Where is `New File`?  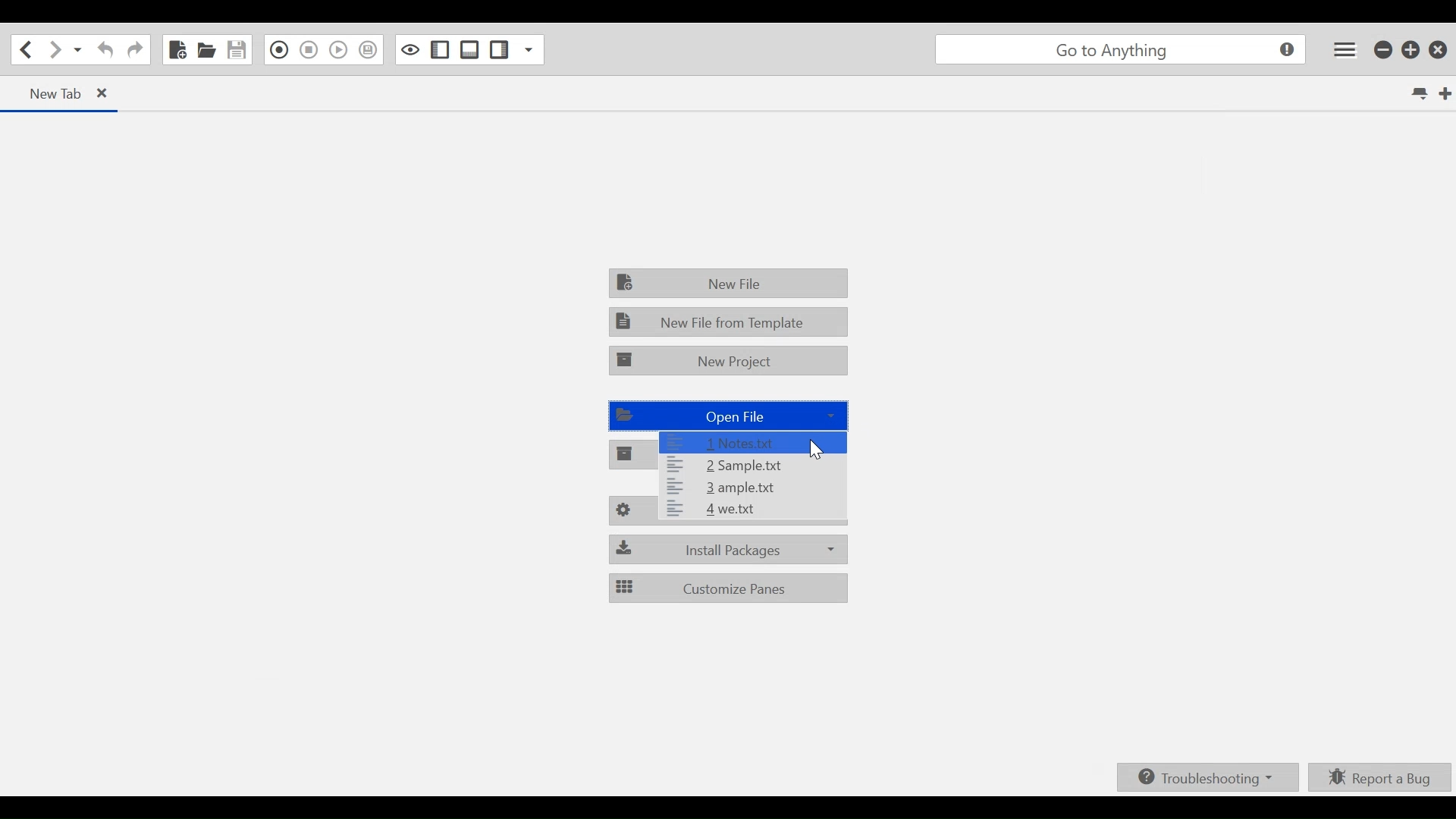
New File is located at coordinates (176, 50).